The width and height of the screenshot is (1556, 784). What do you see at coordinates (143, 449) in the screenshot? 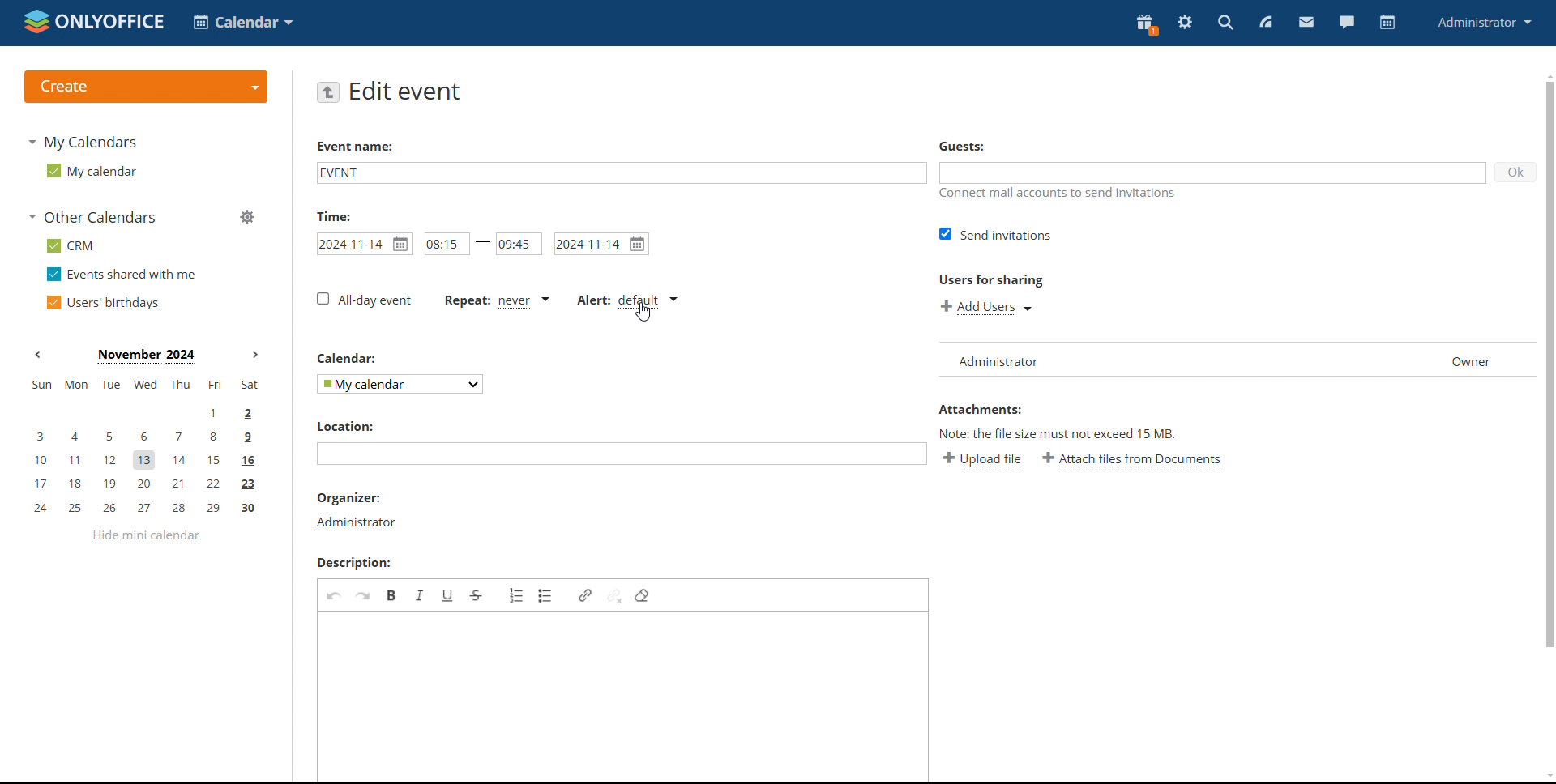
I see `mini calendar` at bounding box center [143, 449].